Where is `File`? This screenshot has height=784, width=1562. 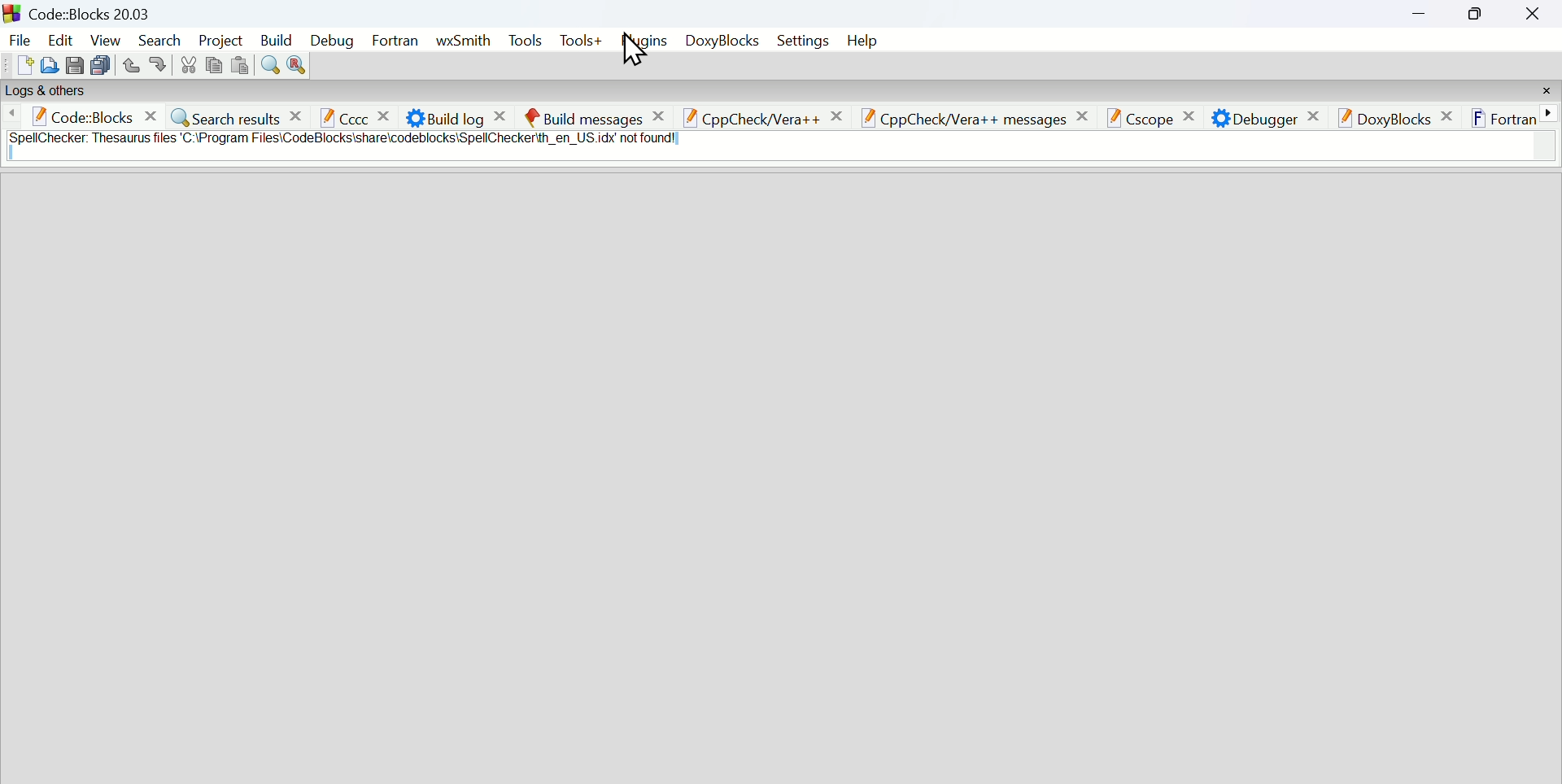 File is located at coordinates (19, 40).